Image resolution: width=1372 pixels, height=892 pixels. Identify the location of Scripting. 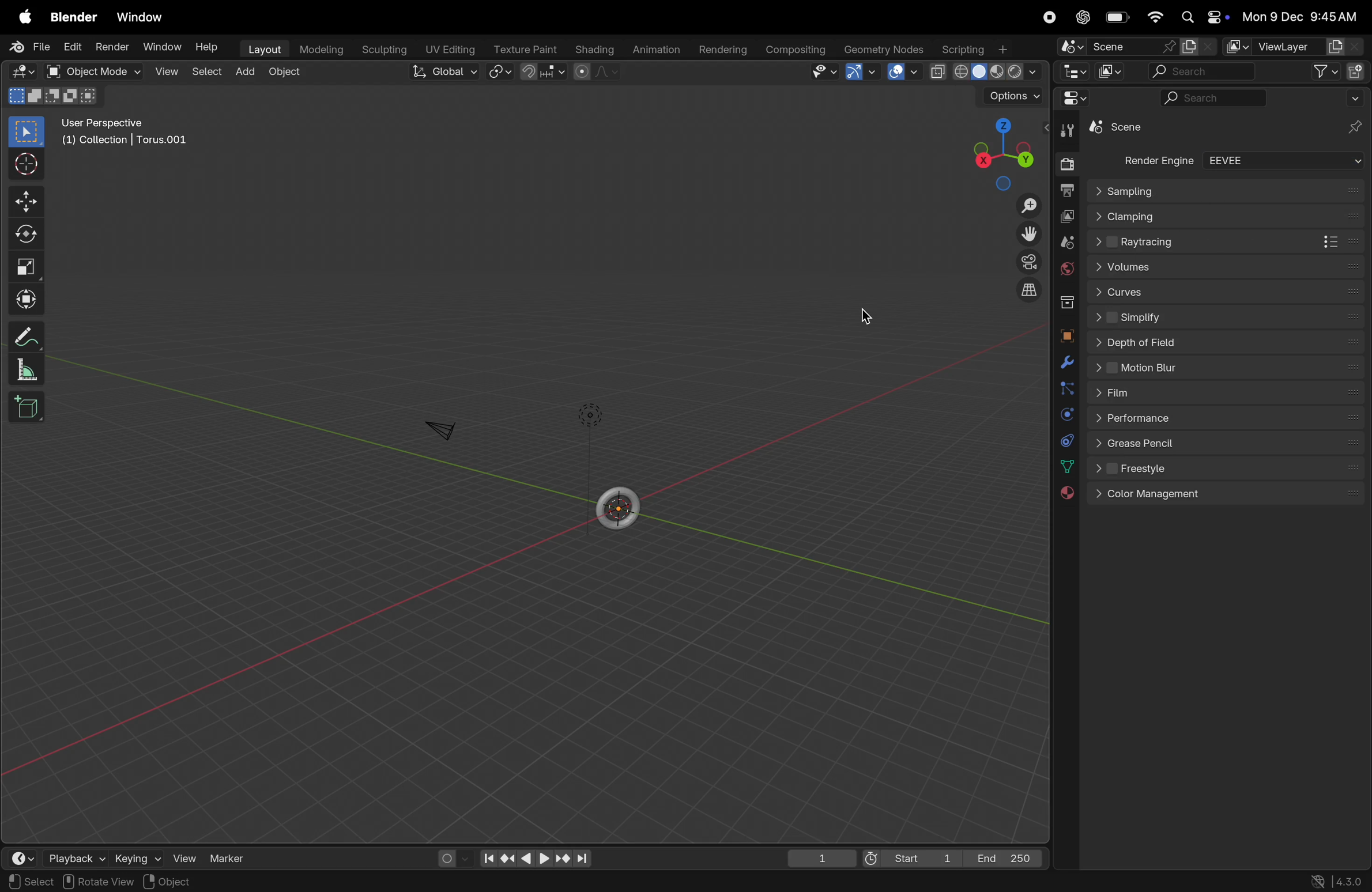
(979, 49).